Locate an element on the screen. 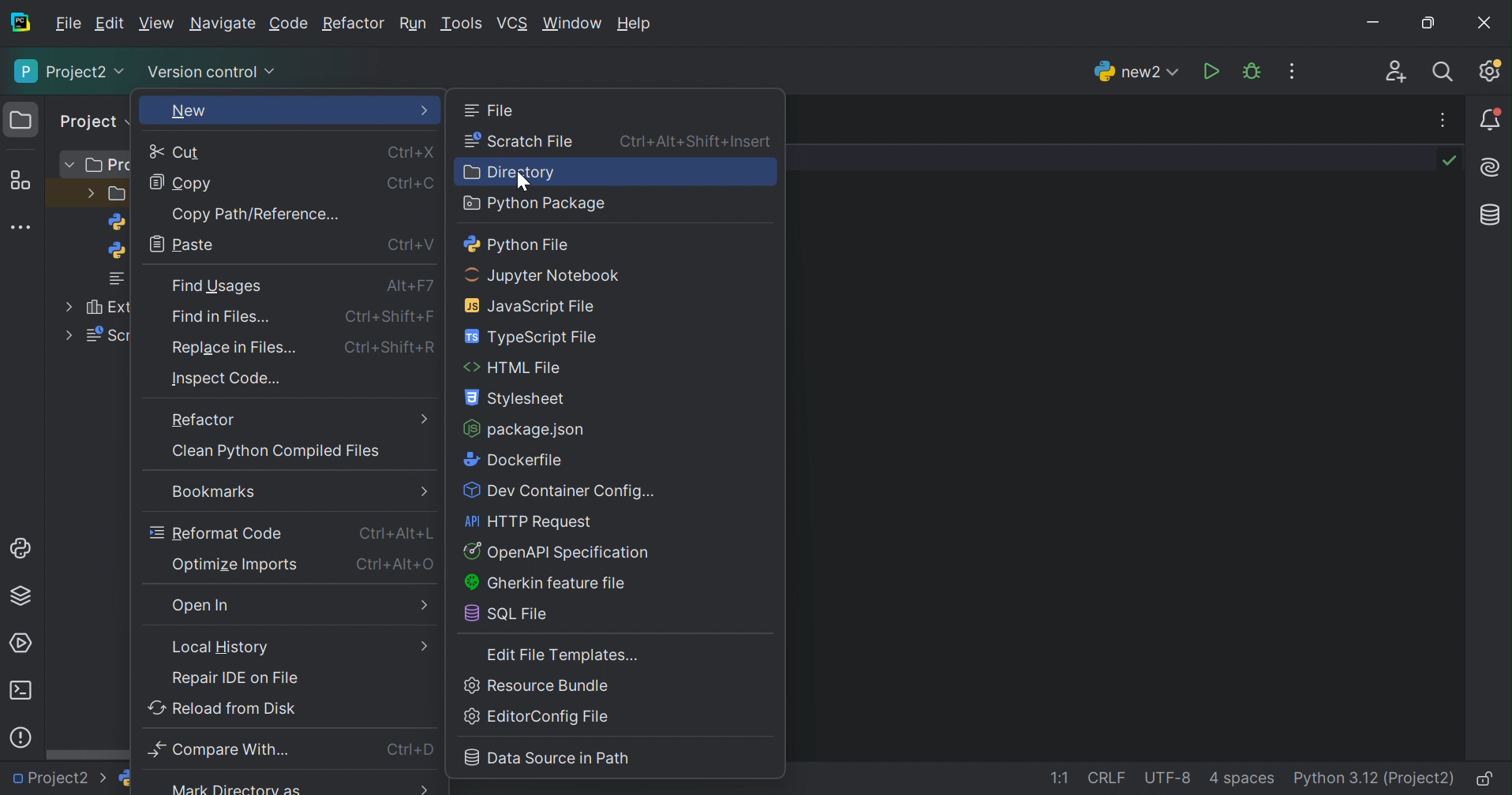  More is located at coordinates (88, 192).